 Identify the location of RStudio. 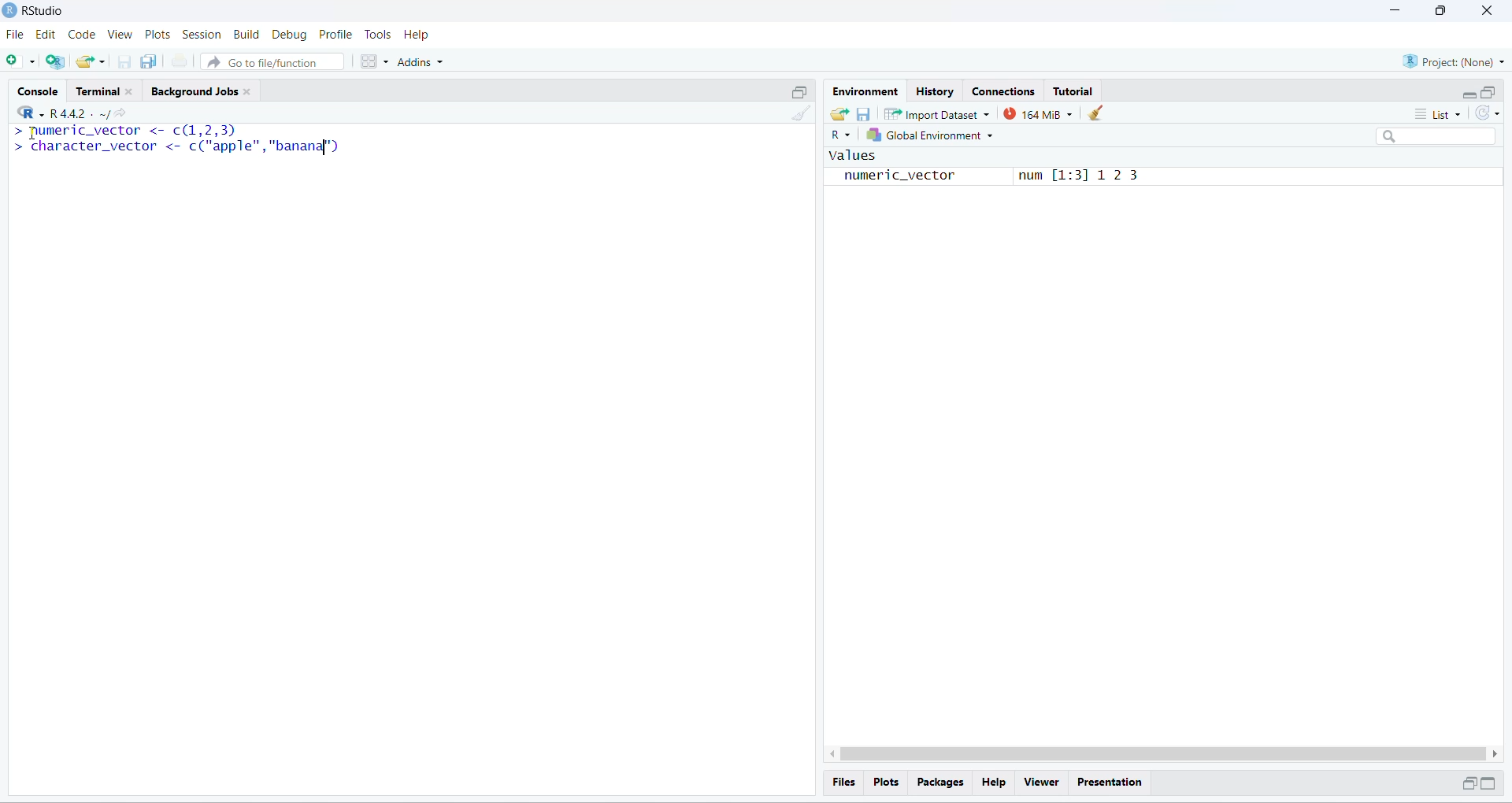
(47, 9).